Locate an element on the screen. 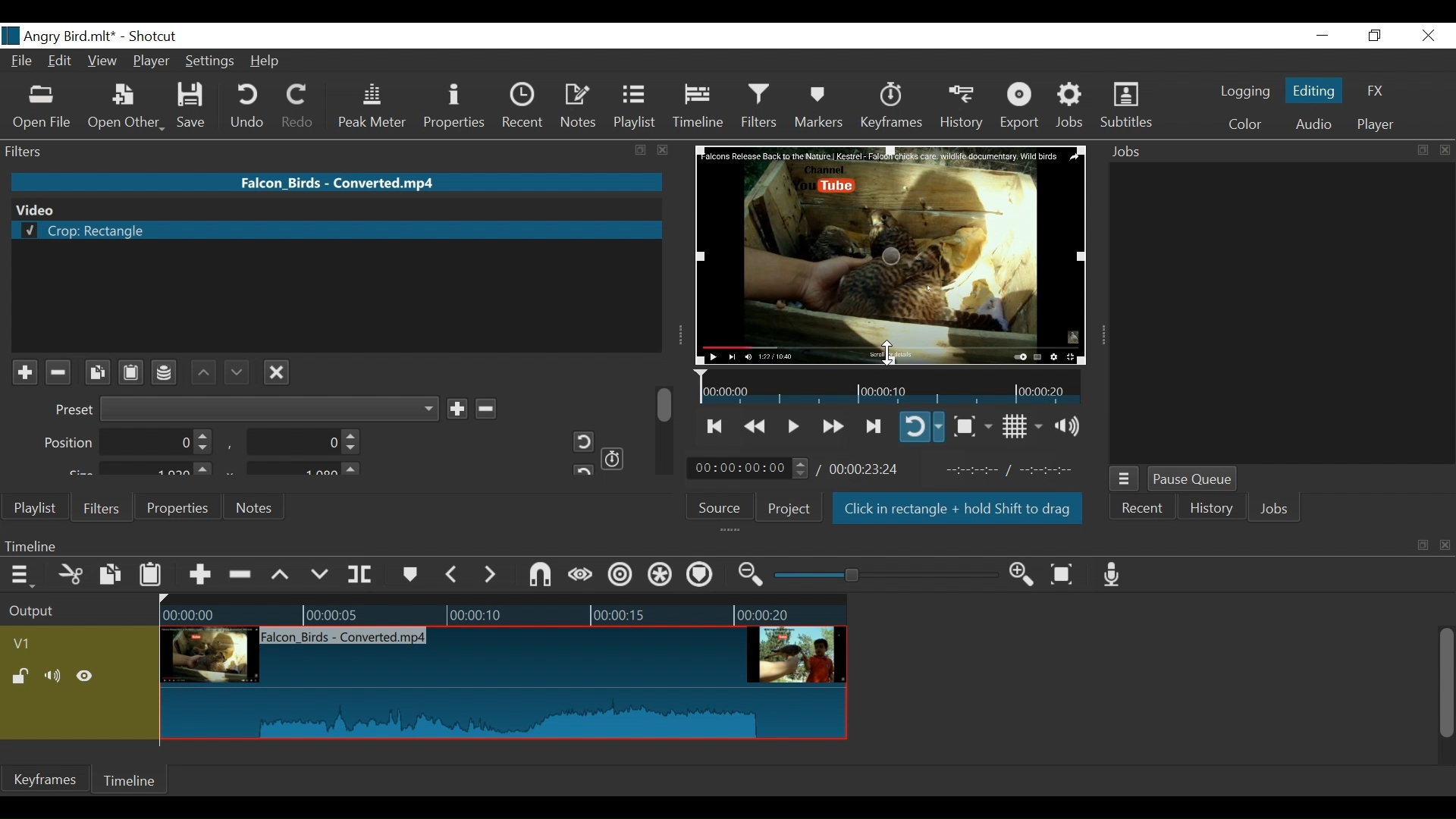 The height and width of the screenshot is (819, 1456). Audio is located at coordinates (1313, 126).